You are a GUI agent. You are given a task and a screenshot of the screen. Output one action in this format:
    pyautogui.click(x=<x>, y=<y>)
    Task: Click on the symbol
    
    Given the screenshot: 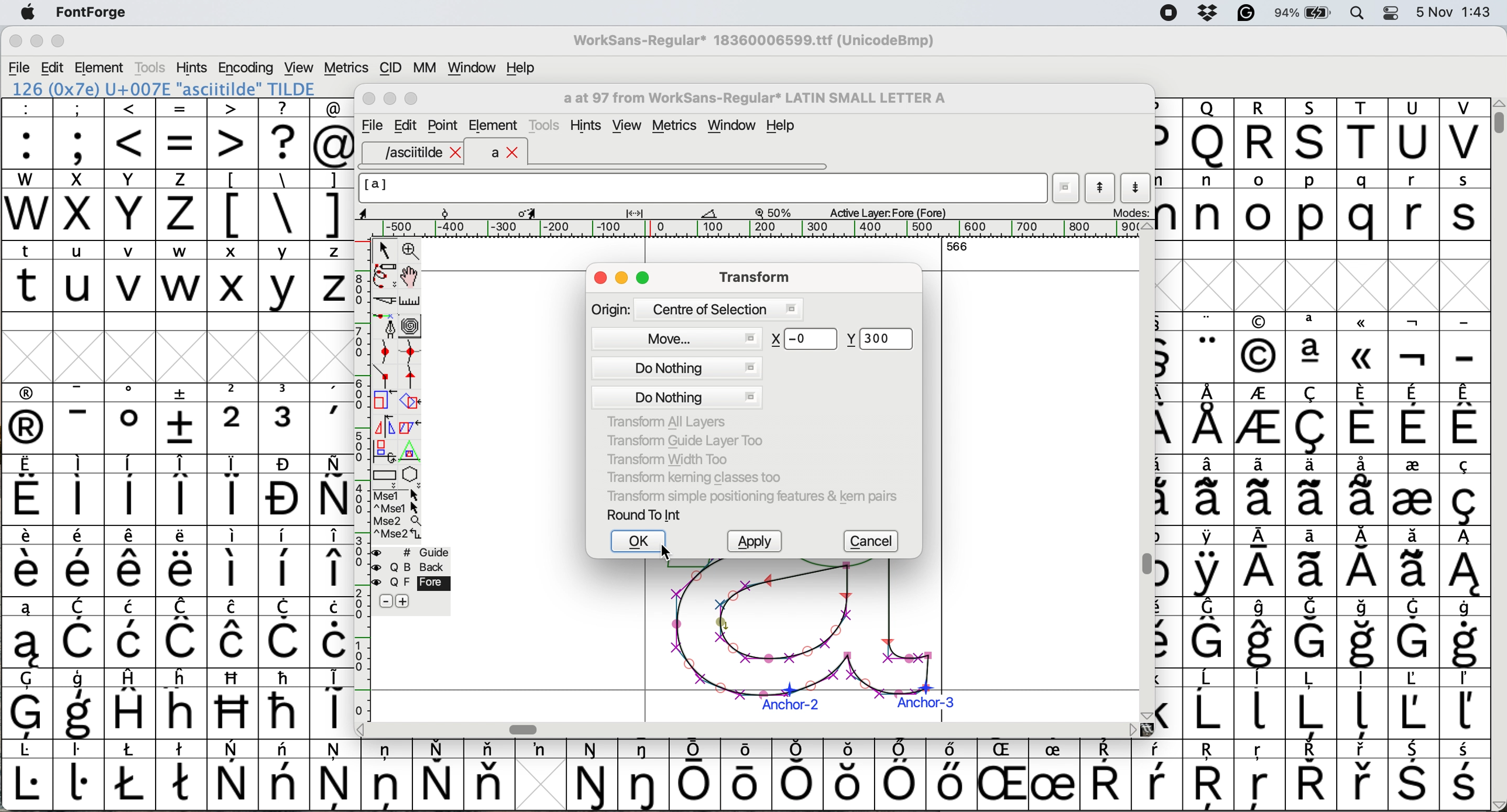 What is the action you would take?
    pyautogui.click(x=1363, y=418)
    